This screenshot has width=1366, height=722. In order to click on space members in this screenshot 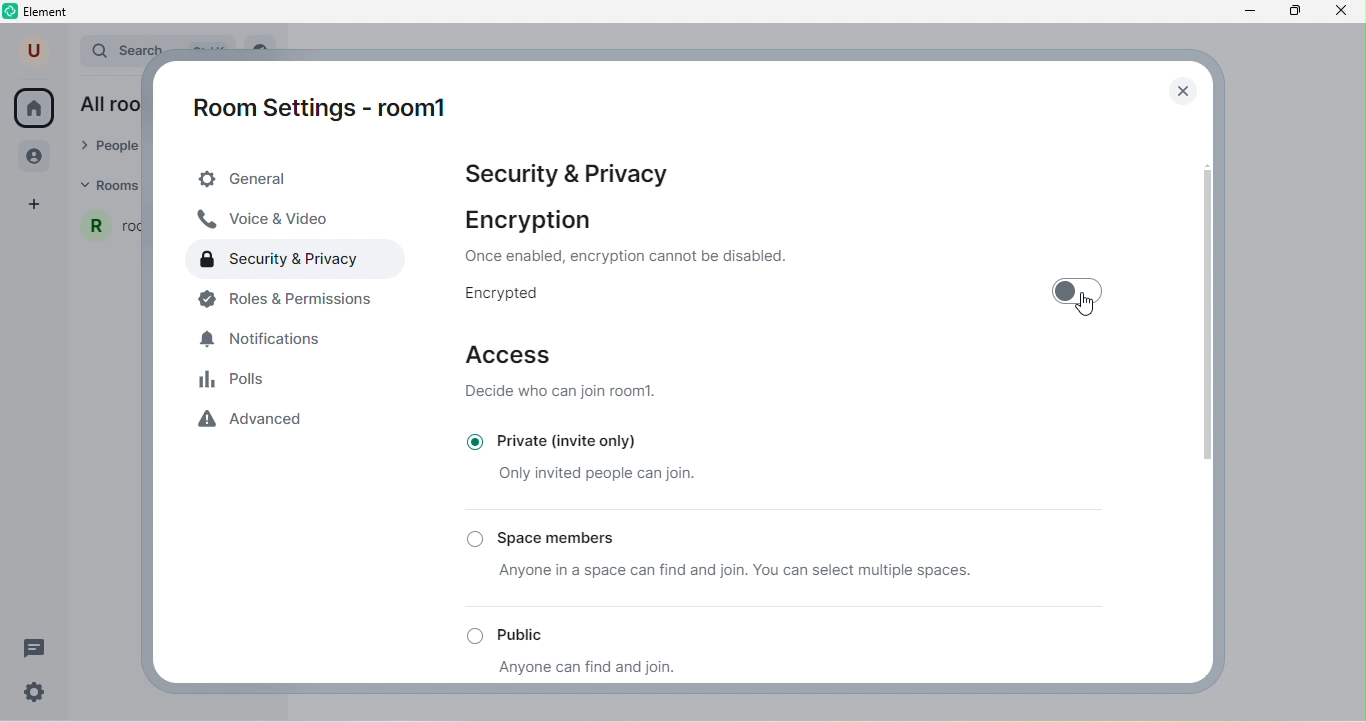, I will do `click(628, 538)`.